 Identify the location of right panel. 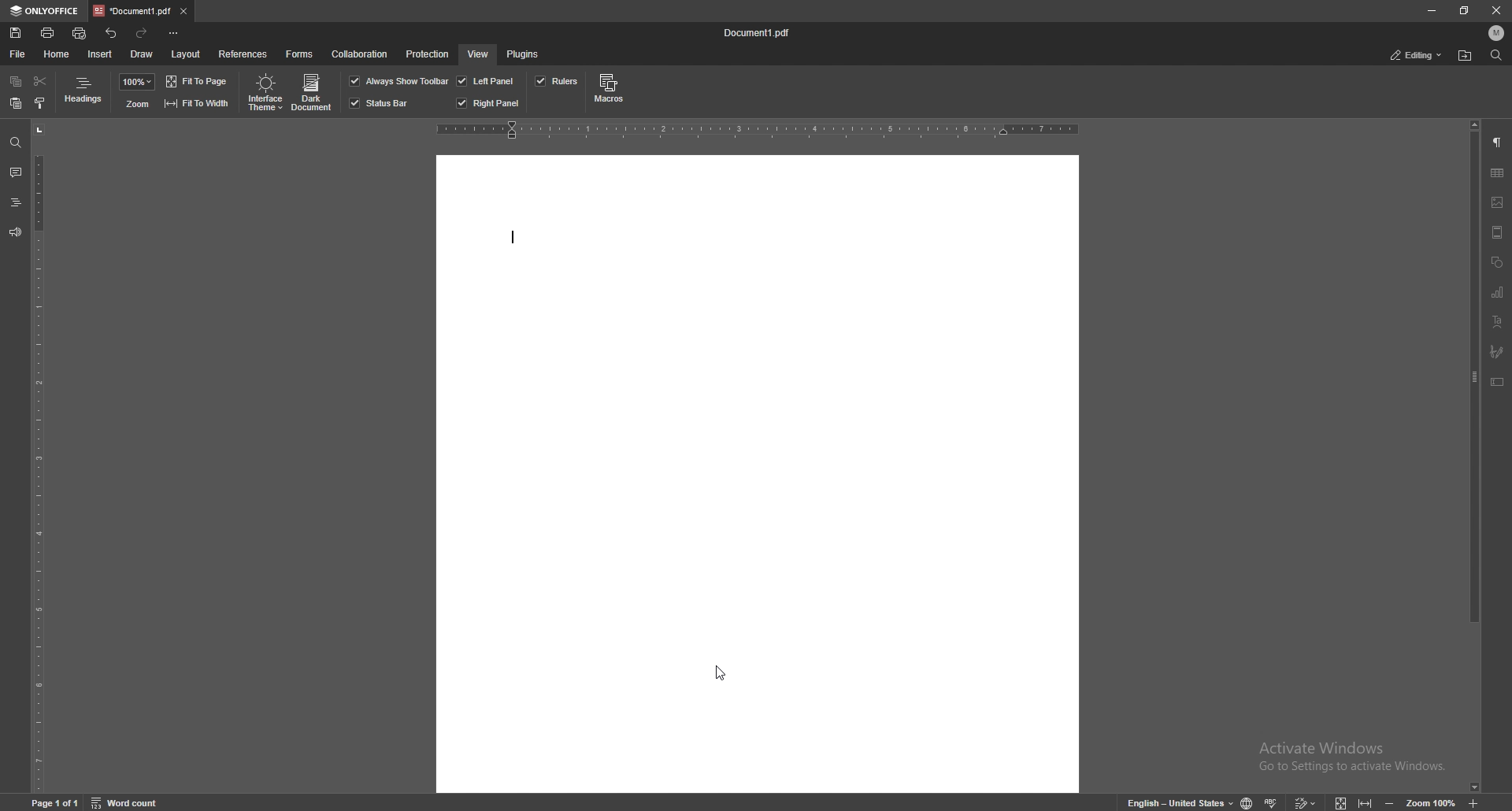
(488, 103).